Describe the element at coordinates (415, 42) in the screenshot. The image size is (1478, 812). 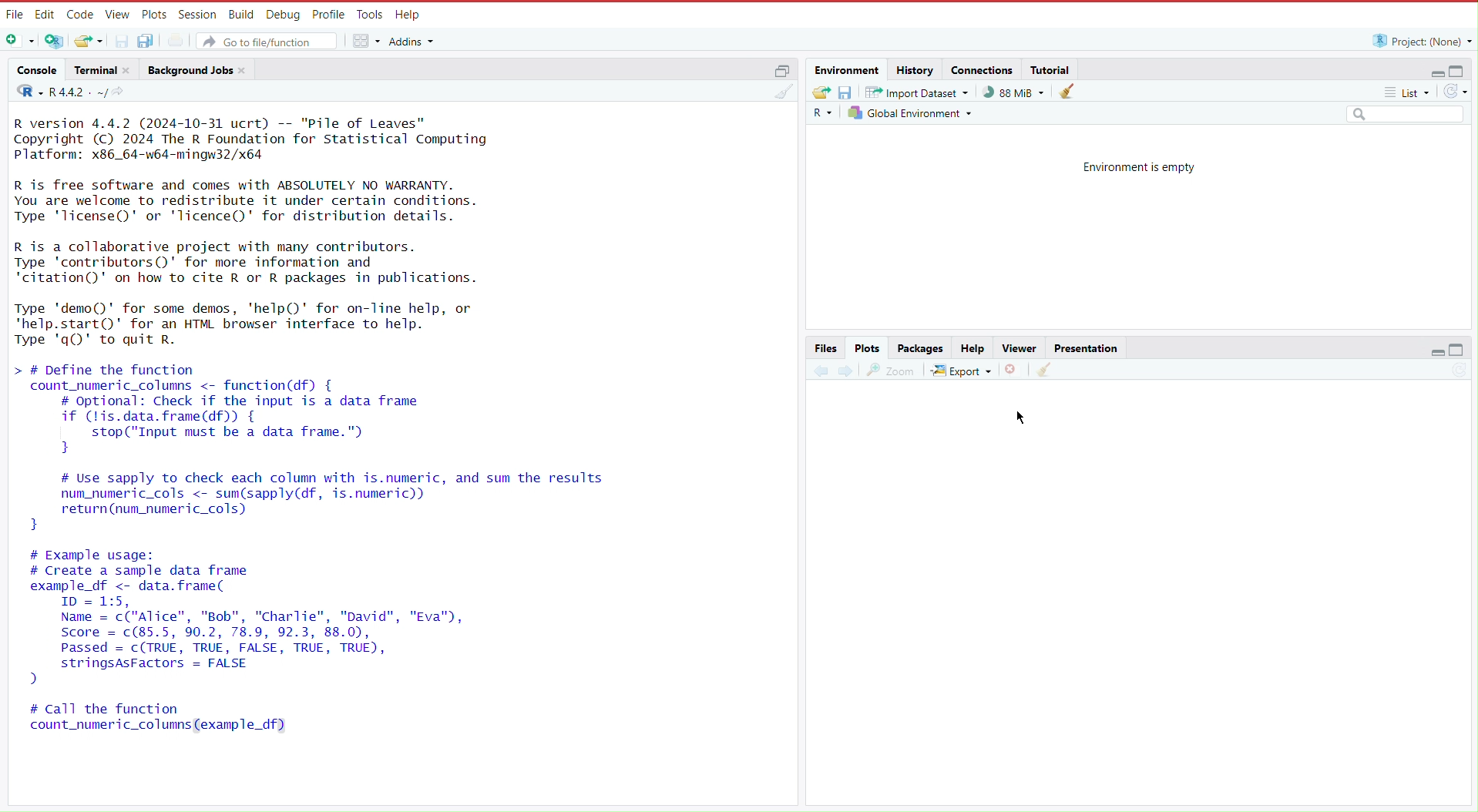
I see `Addins` at that location.